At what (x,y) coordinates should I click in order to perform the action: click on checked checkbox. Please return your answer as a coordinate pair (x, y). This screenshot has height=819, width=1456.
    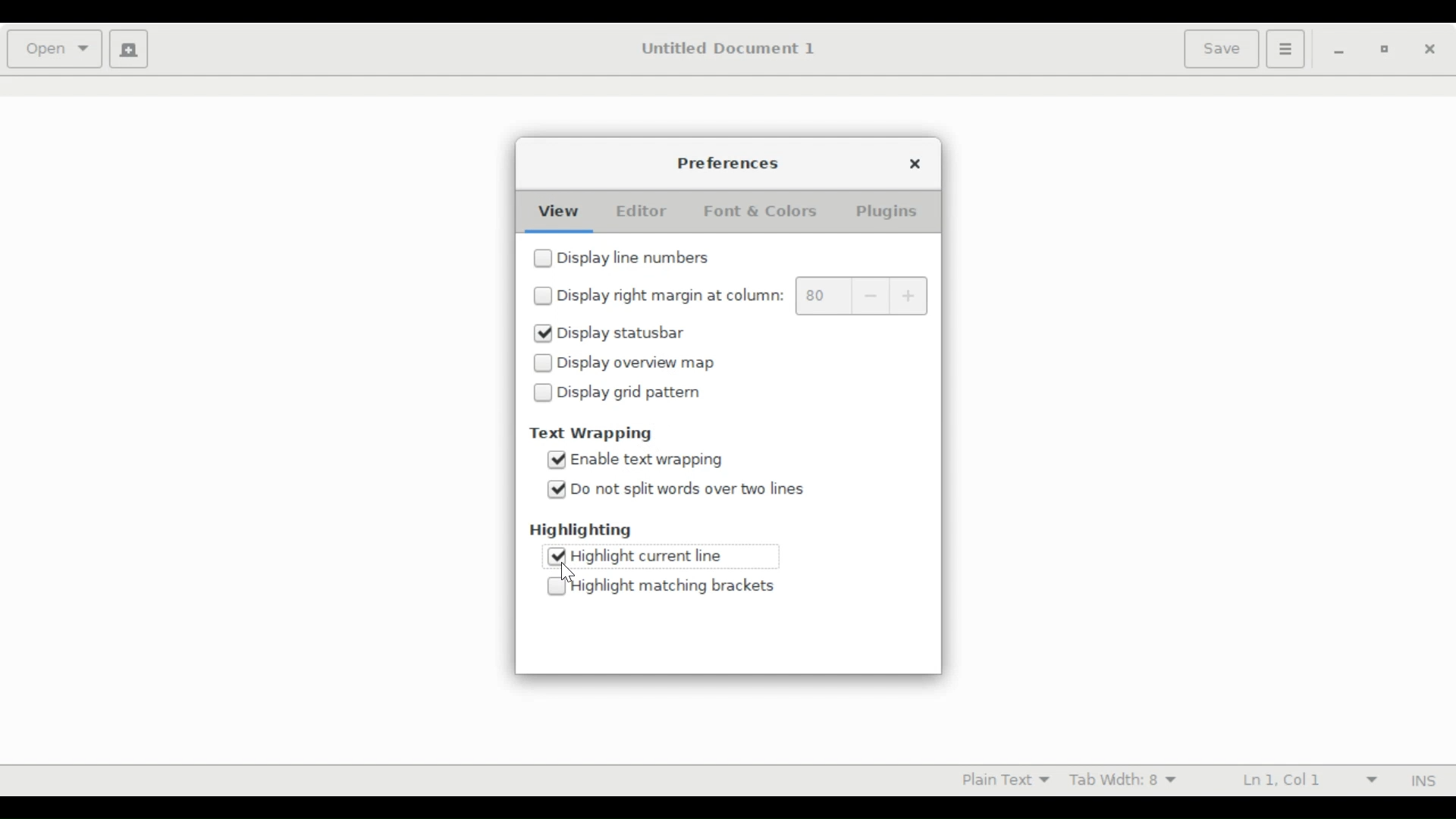
    Looking at the image, I should click on (543, 334).